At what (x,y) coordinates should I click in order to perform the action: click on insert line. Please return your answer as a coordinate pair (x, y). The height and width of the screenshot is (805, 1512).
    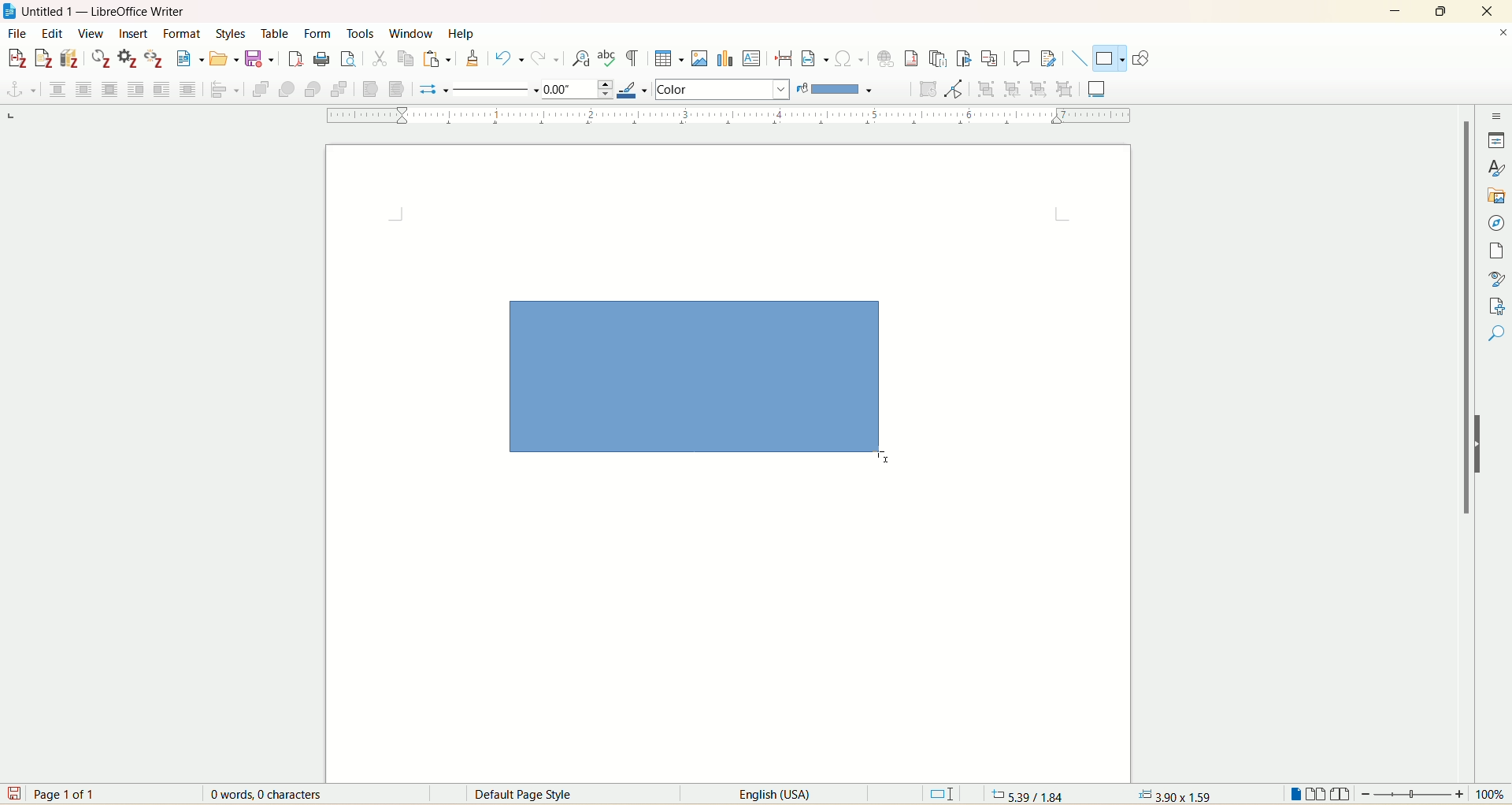
    Looking at the image, I should click on (1079, 58).